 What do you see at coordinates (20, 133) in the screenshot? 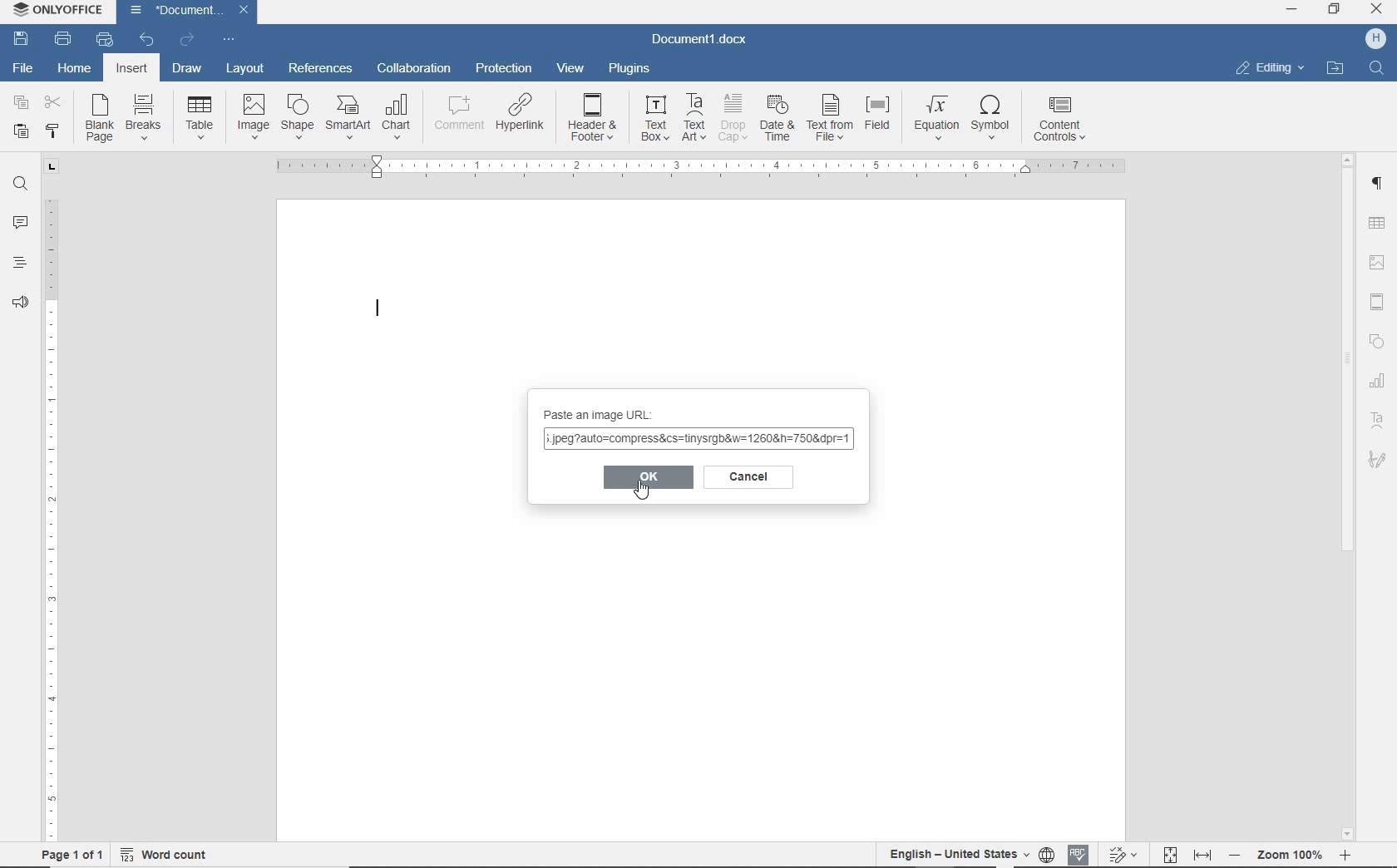
I see `paste` at bounding box center [20, 133].